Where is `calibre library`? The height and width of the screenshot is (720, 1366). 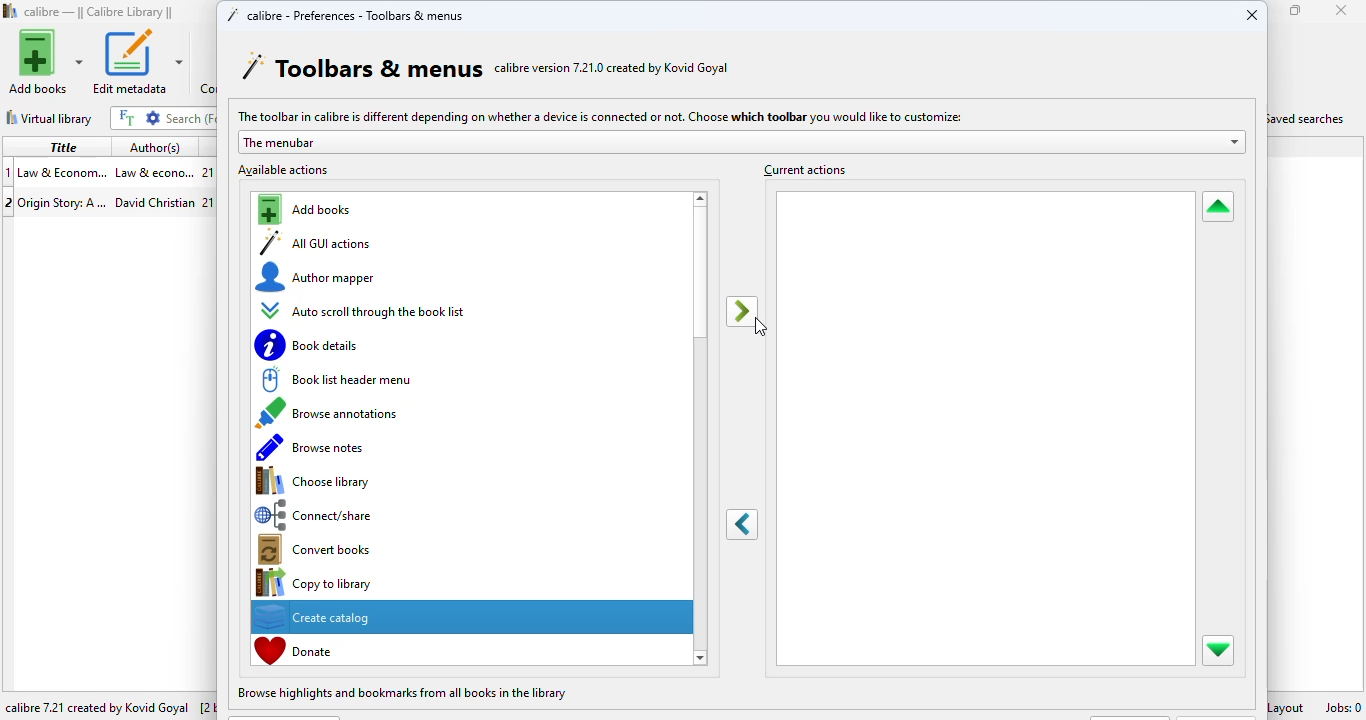
calibre library is located at coordinates (100, 12).